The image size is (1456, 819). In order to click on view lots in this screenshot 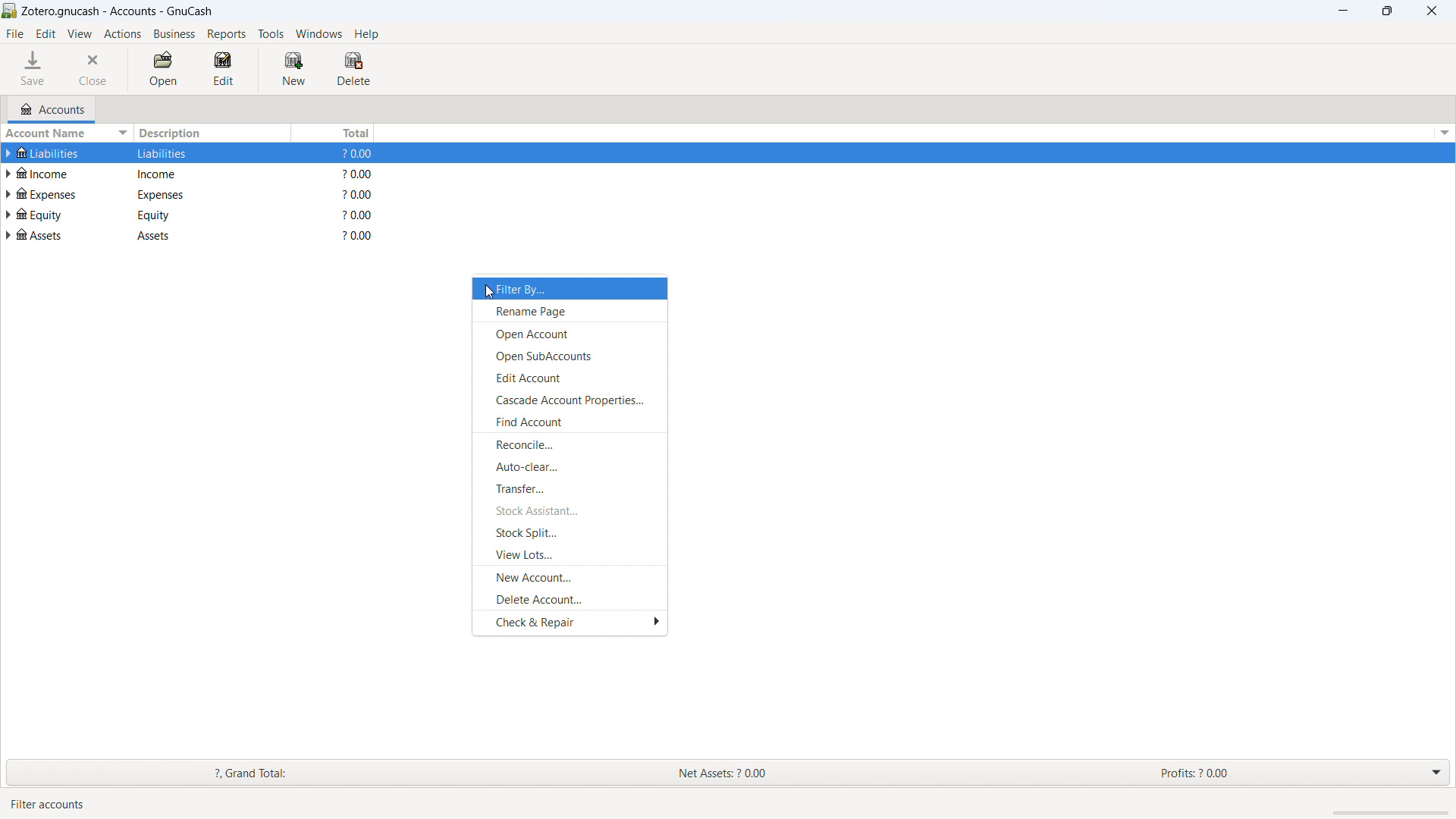, I will do `click(570, 555)`.